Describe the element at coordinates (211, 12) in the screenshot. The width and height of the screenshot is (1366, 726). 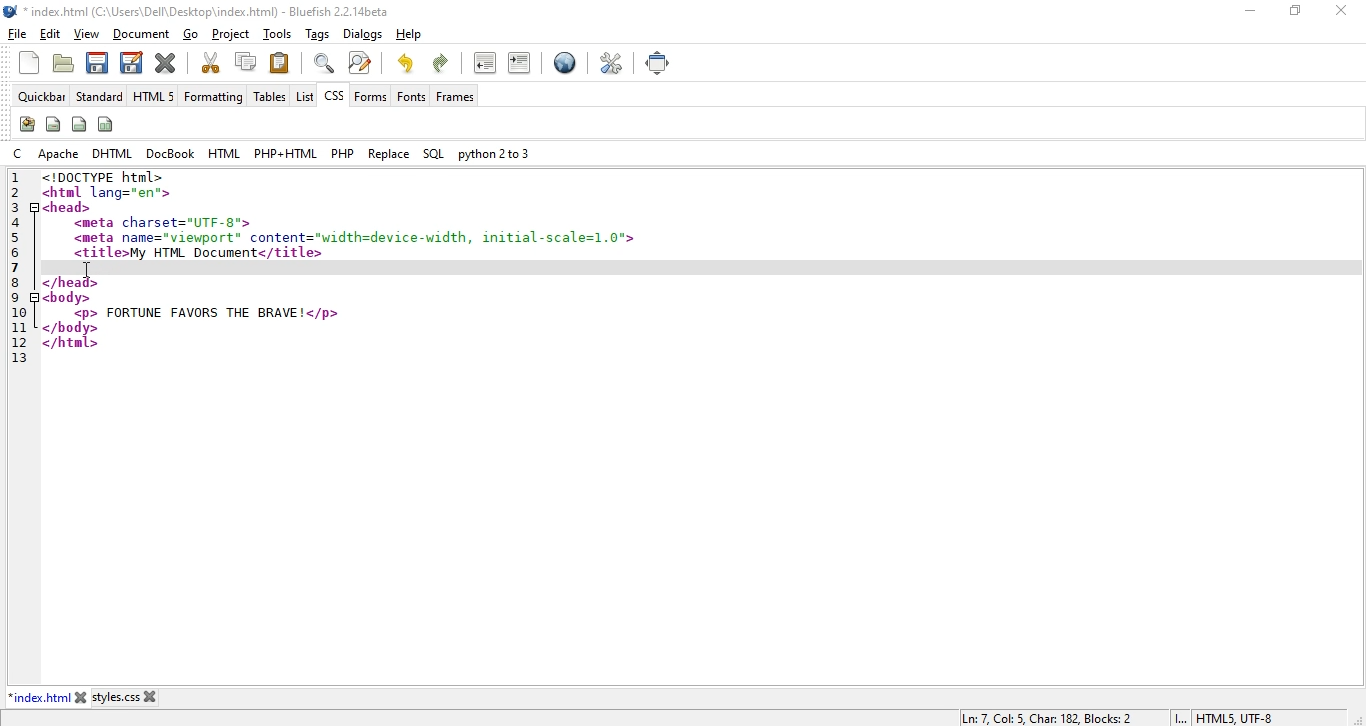
I see `* index.html (C:\Users\Dell\Desktop\index.html) - Bluefish 2.2. 14beta` at that location.